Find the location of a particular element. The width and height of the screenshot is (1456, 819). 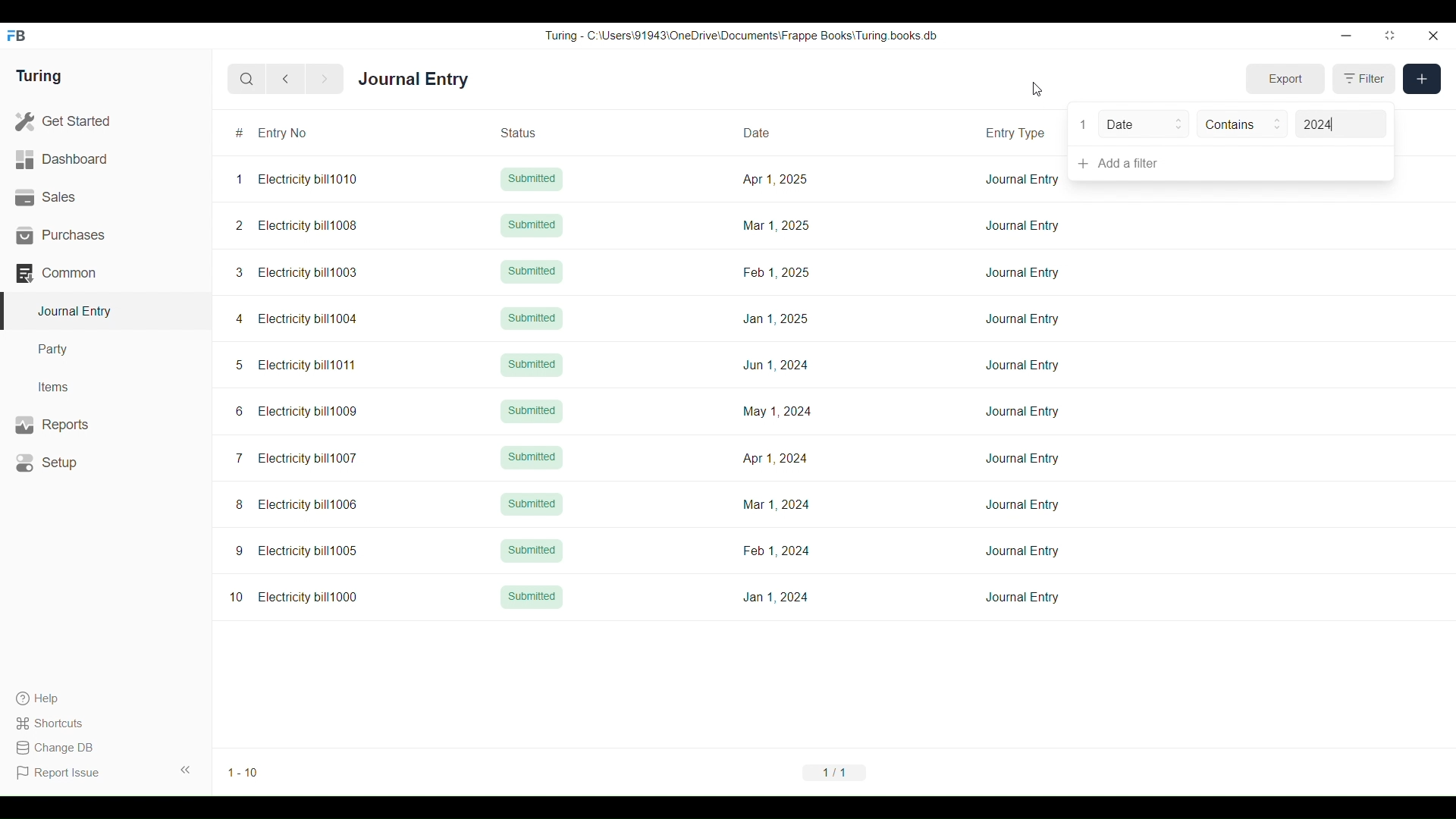

Items is located at coordinates (106, 388).